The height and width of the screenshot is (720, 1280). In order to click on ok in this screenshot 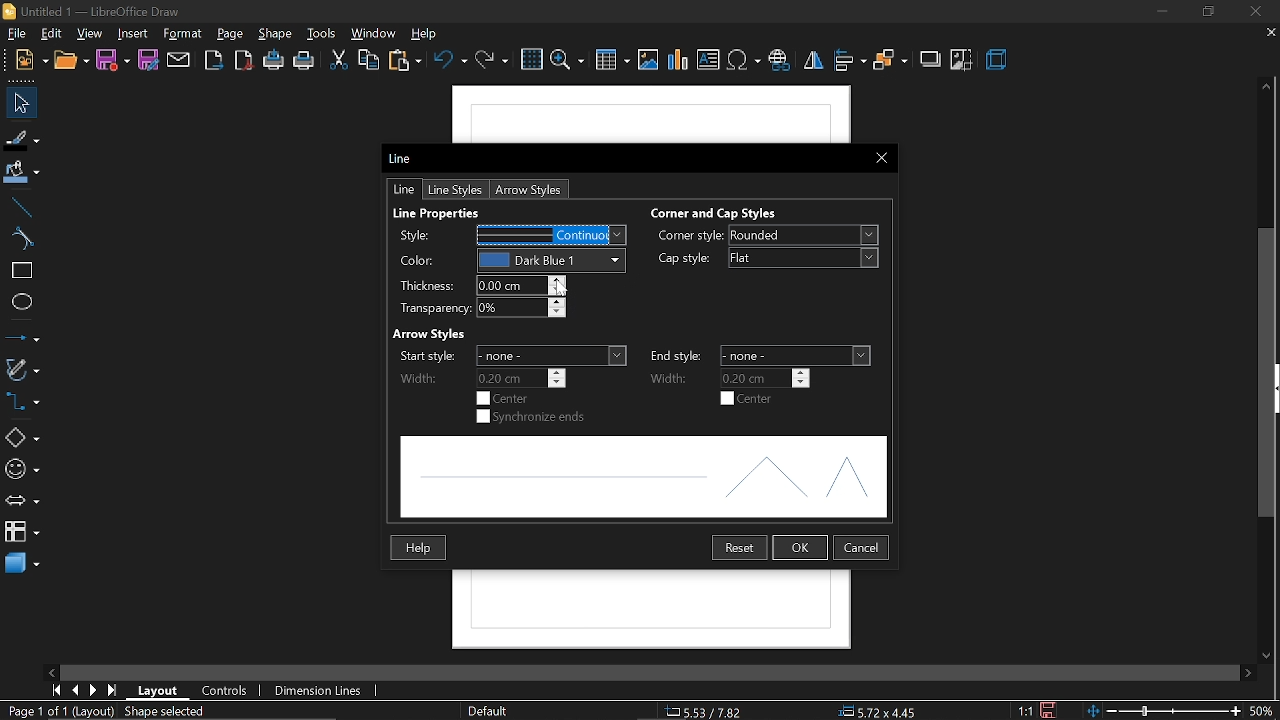, I will do `click(802, 548)`.